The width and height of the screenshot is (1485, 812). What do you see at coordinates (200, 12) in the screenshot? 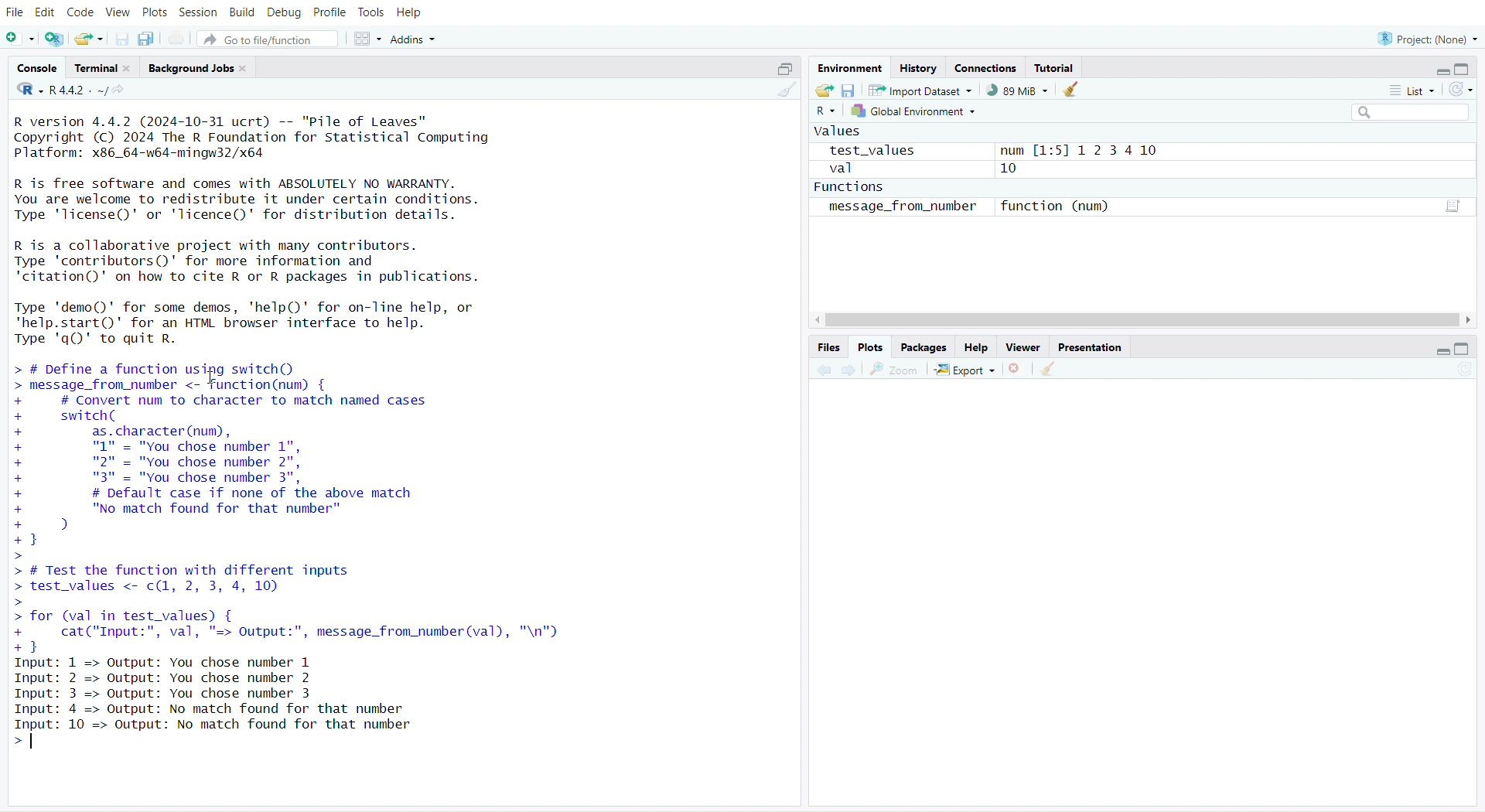
I see `Session` at bounding box center [200, 12].